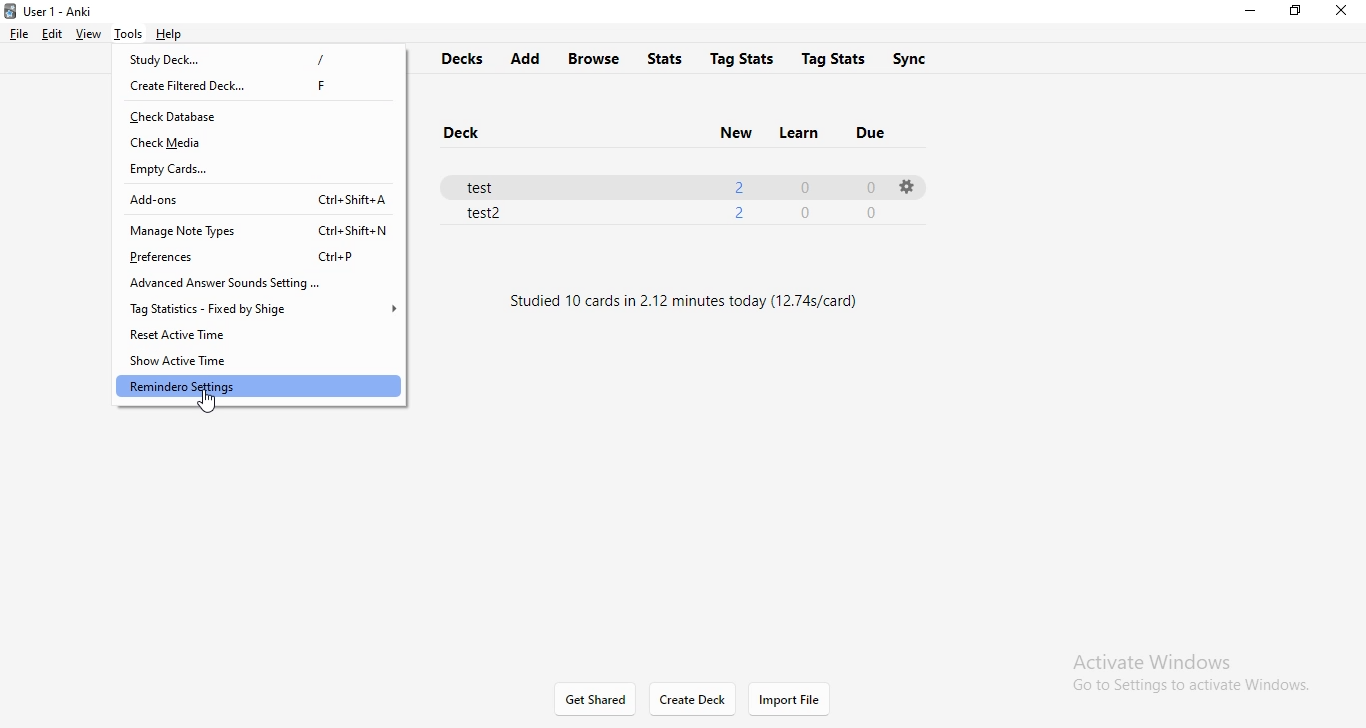 The height and width of the screenshot is (728, 1366). Describe the element at coordinates (524, 59) in the screenshot. I see `add` at that location.